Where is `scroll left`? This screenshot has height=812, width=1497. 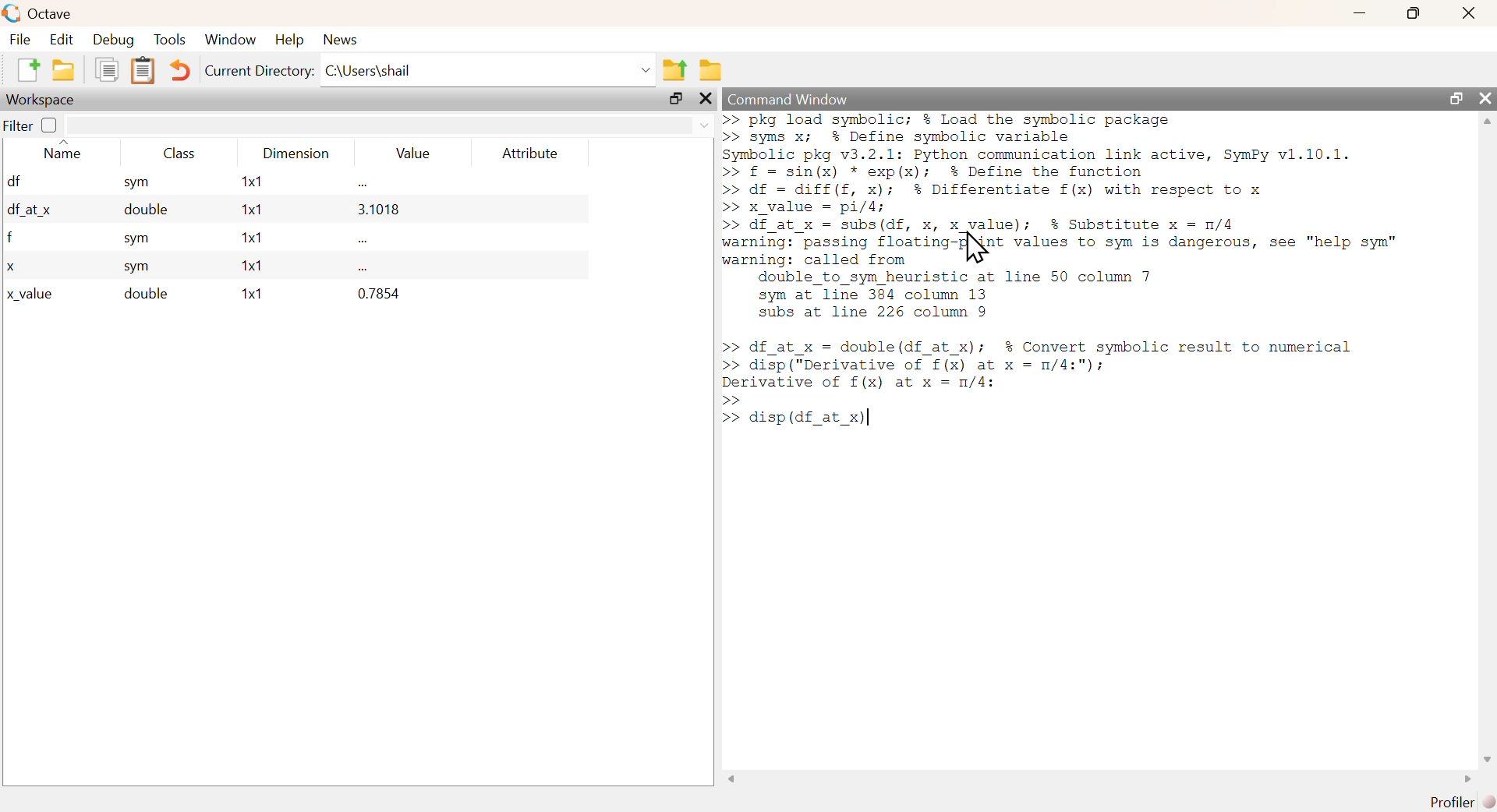
scroll left is located at coordinates (731, 779).